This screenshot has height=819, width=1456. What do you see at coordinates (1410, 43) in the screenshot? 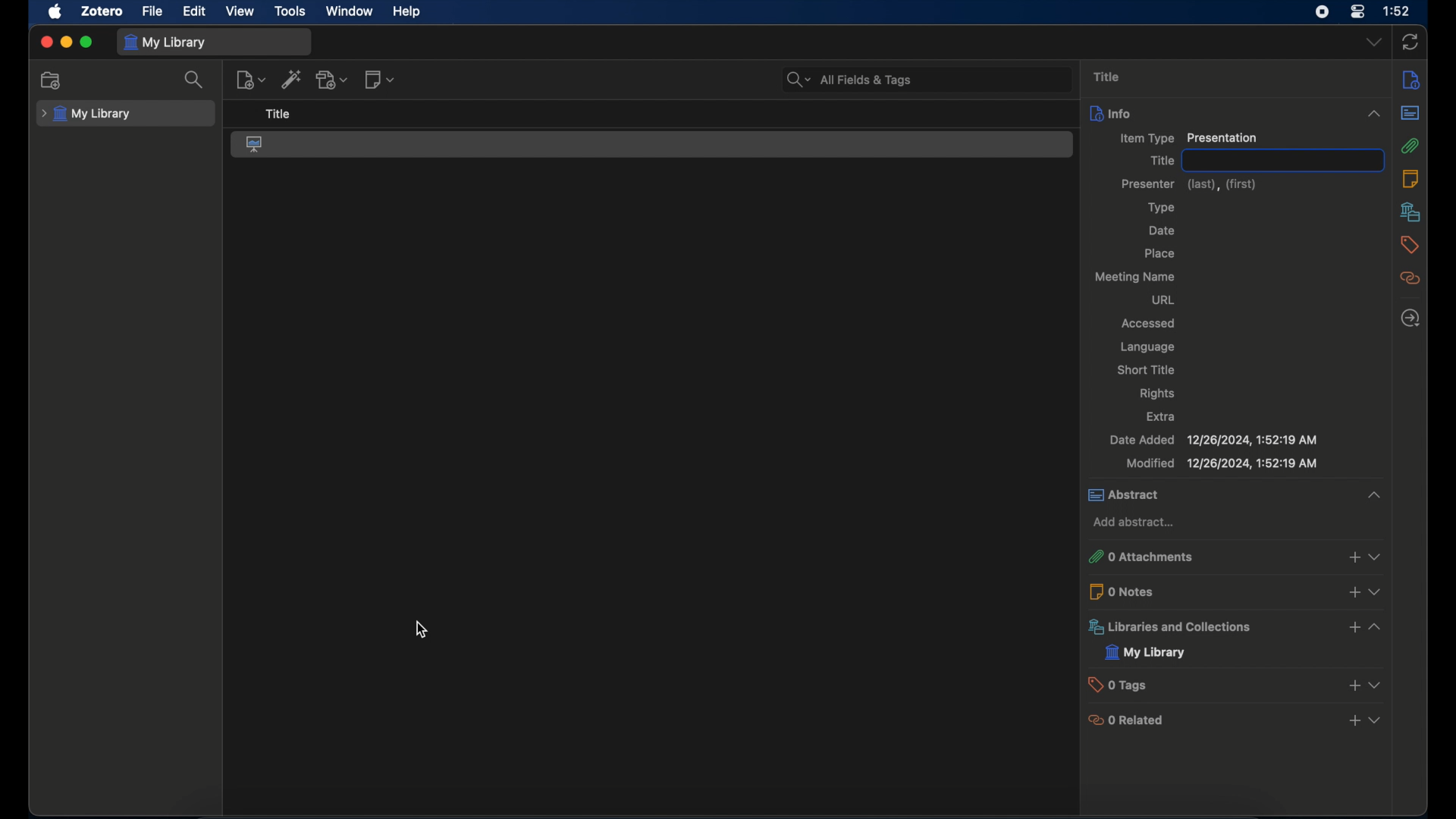
I see `sync` at bounding box center [1410, 43].